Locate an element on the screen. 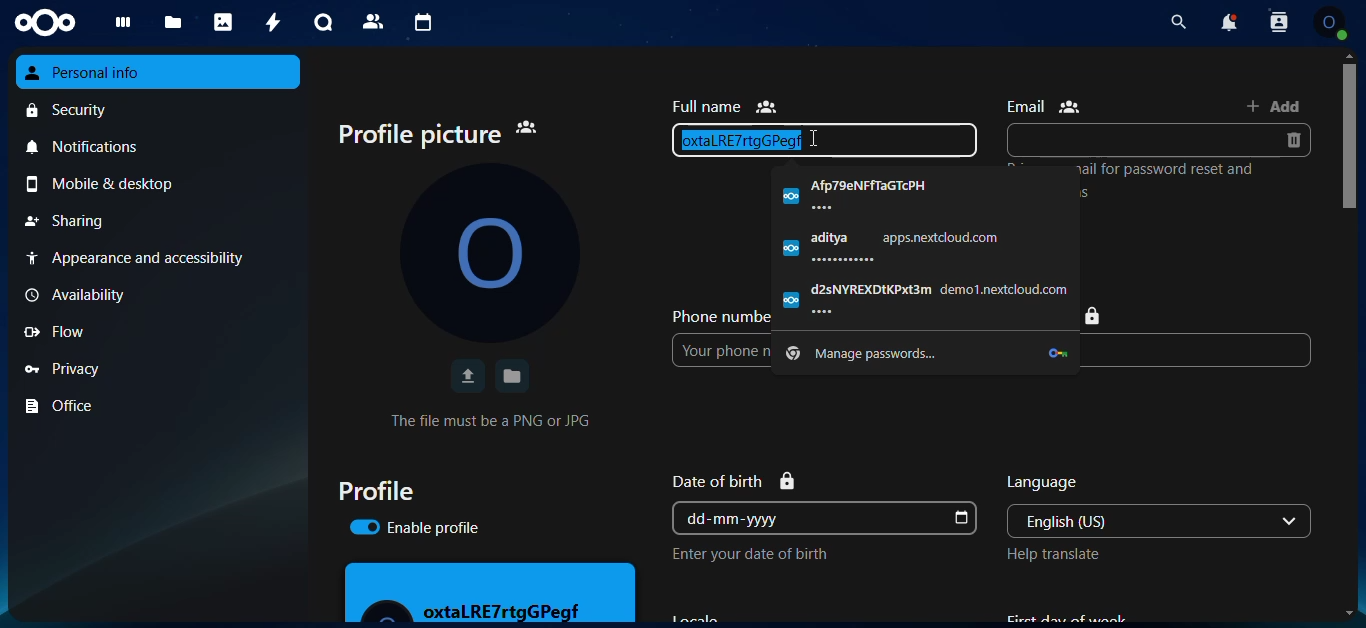 The width and height of the screenshot is (1366, 628). mobile & desktop is located at coordinates (161, 184).